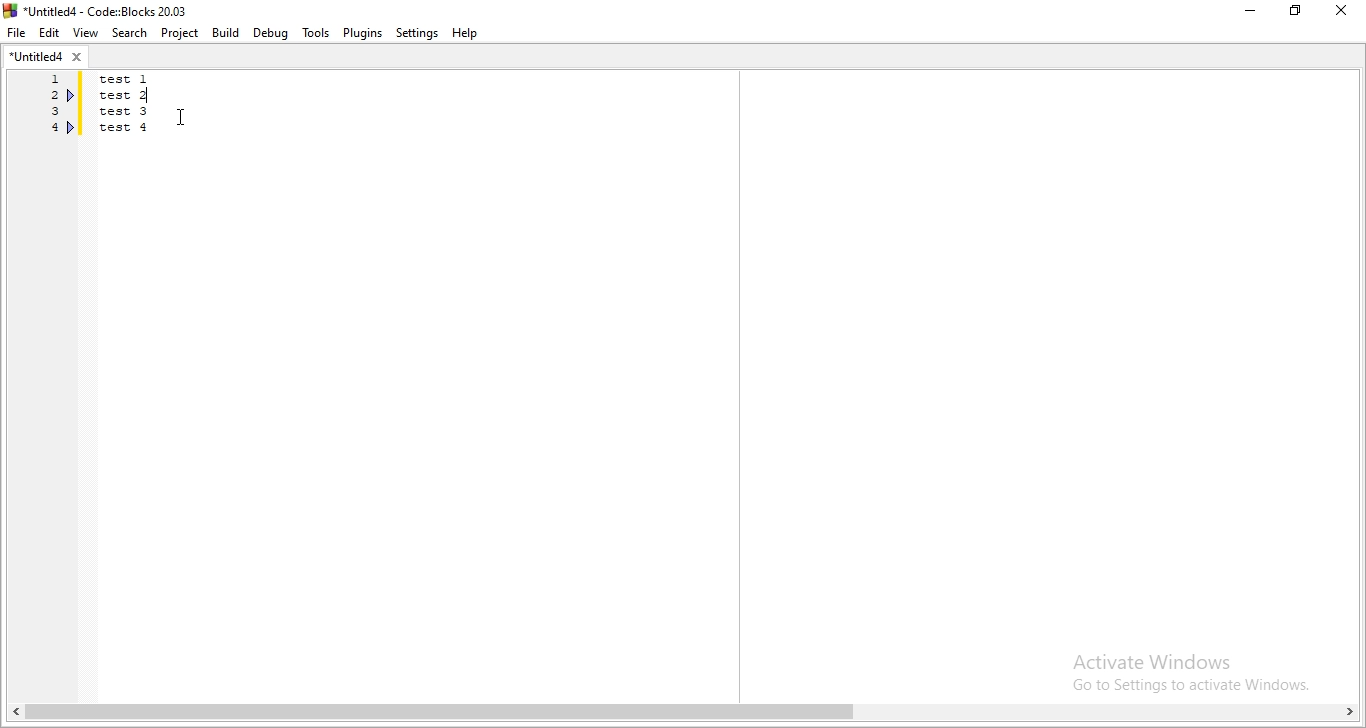 The height and width of the screenshot is (728, 1366). What do you see at coordinates (683, 714) in the screenshot?
I see `scroll bar` at bounding box center [683, 714].